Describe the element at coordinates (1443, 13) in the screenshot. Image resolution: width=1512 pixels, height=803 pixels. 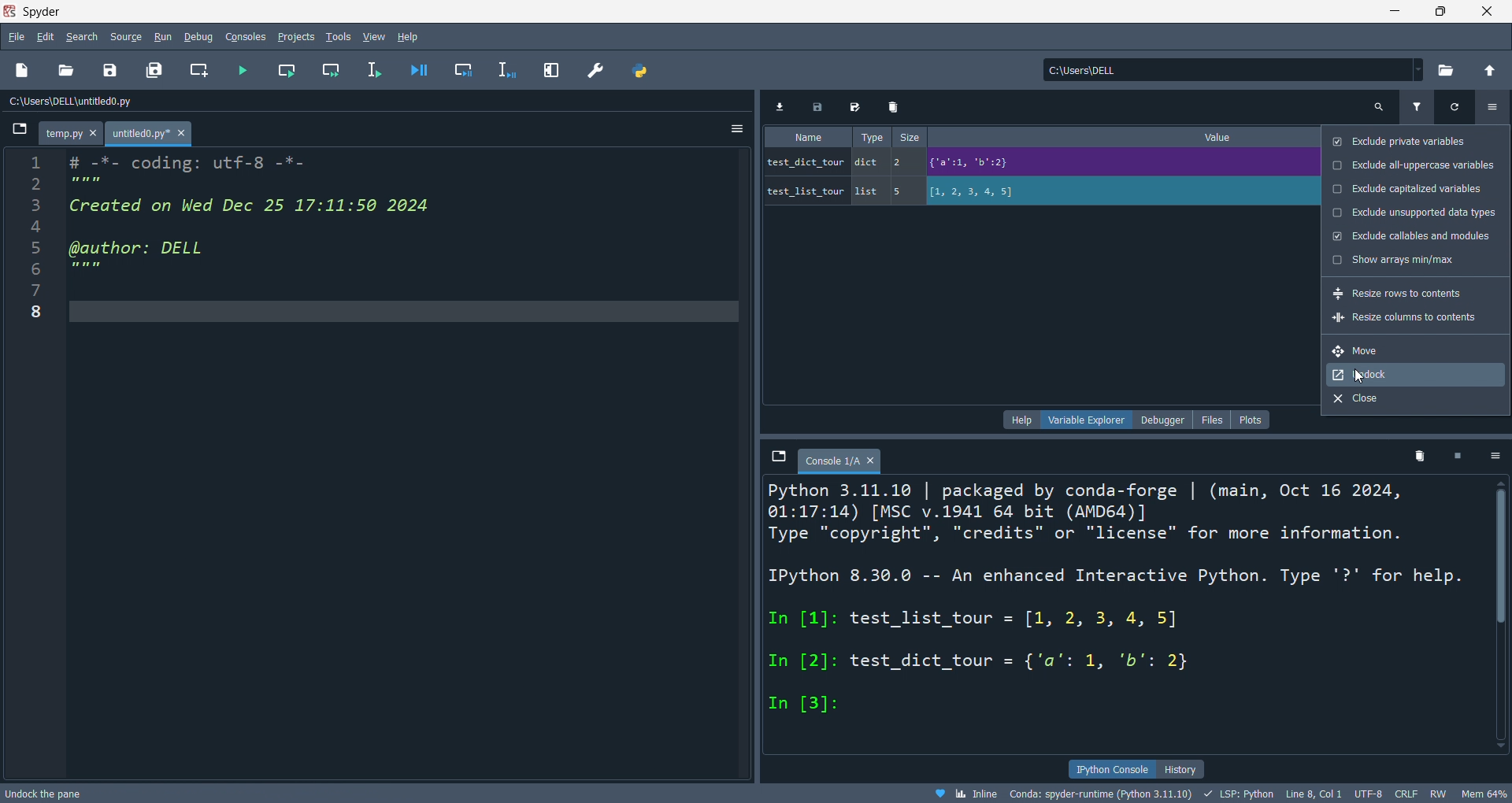
I see `maximize` at that location.